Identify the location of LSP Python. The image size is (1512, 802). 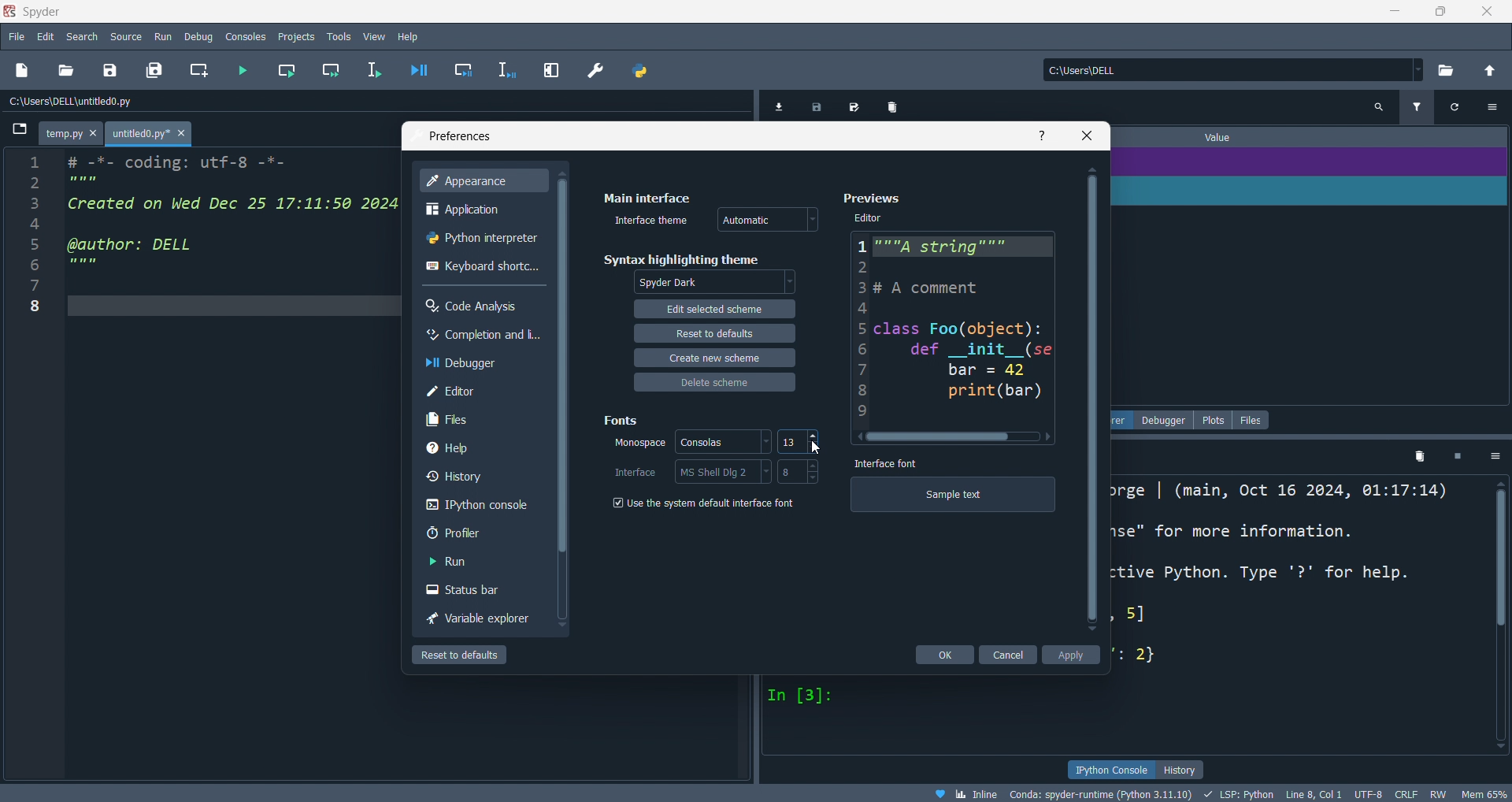
(1236, 793).